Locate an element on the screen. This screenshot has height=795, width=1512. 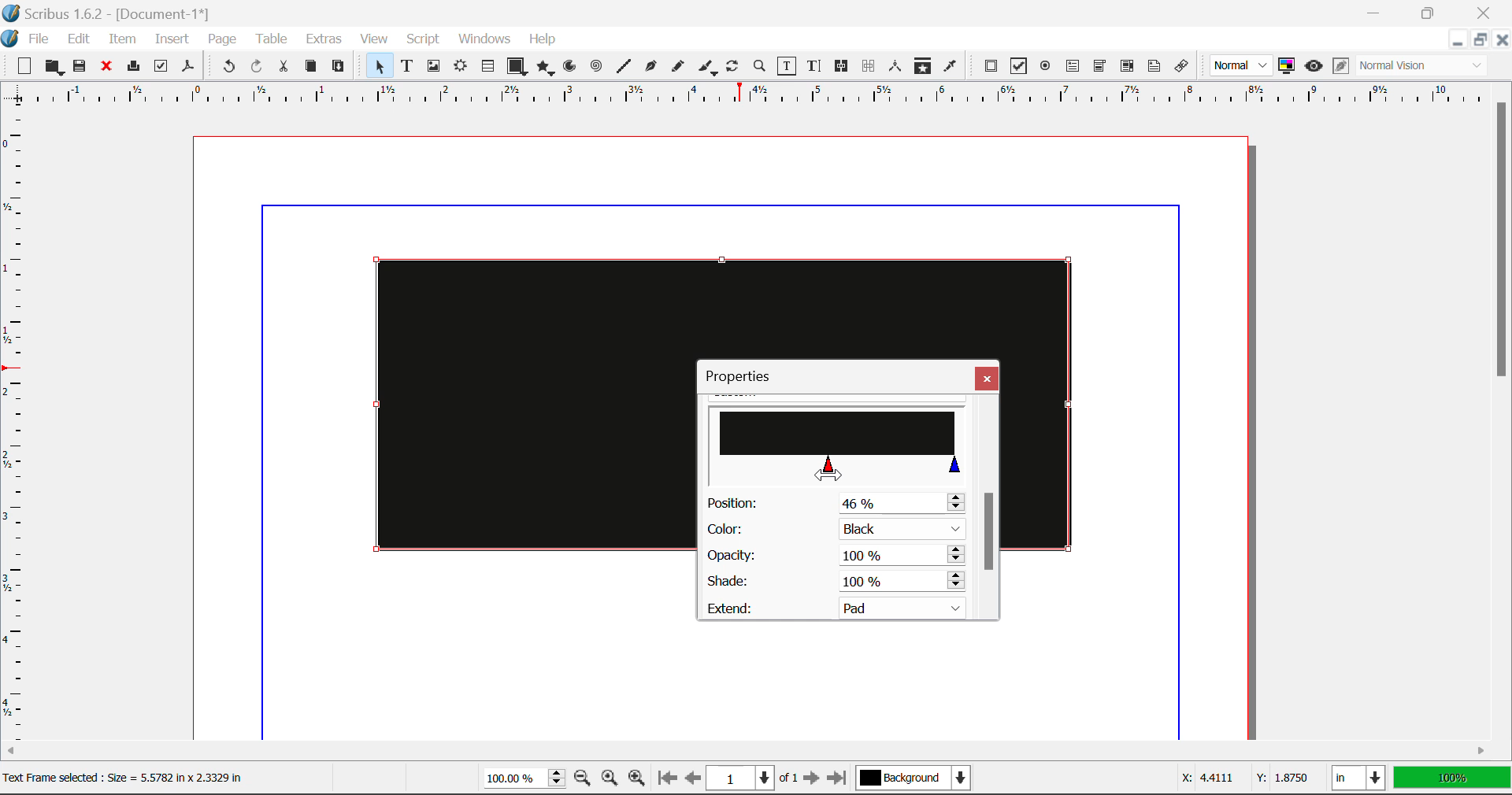
Shade is located at coordinates (833, 582).